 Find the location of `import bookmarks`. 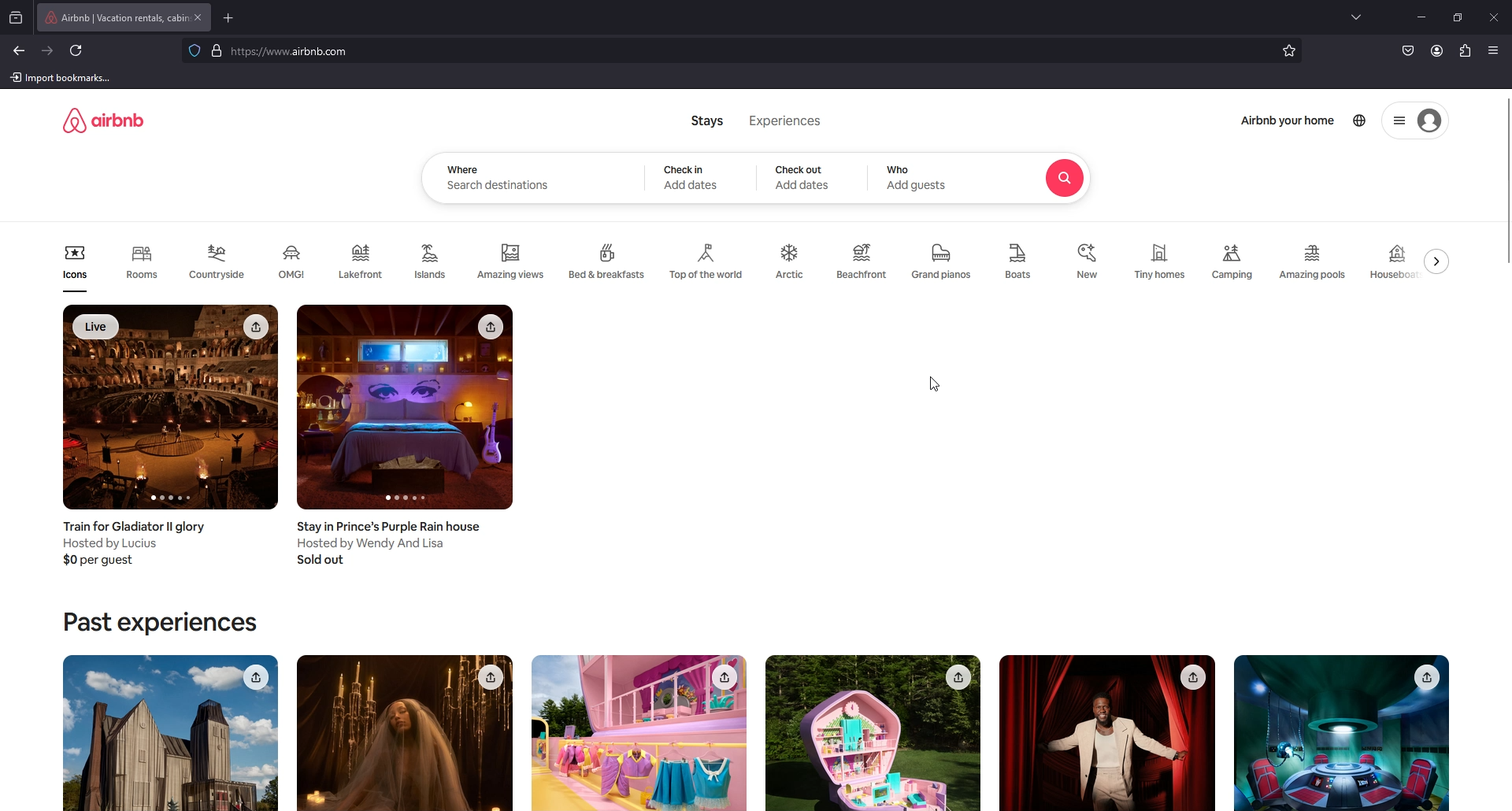

import bookmarks is located at coordinates (64, 77).